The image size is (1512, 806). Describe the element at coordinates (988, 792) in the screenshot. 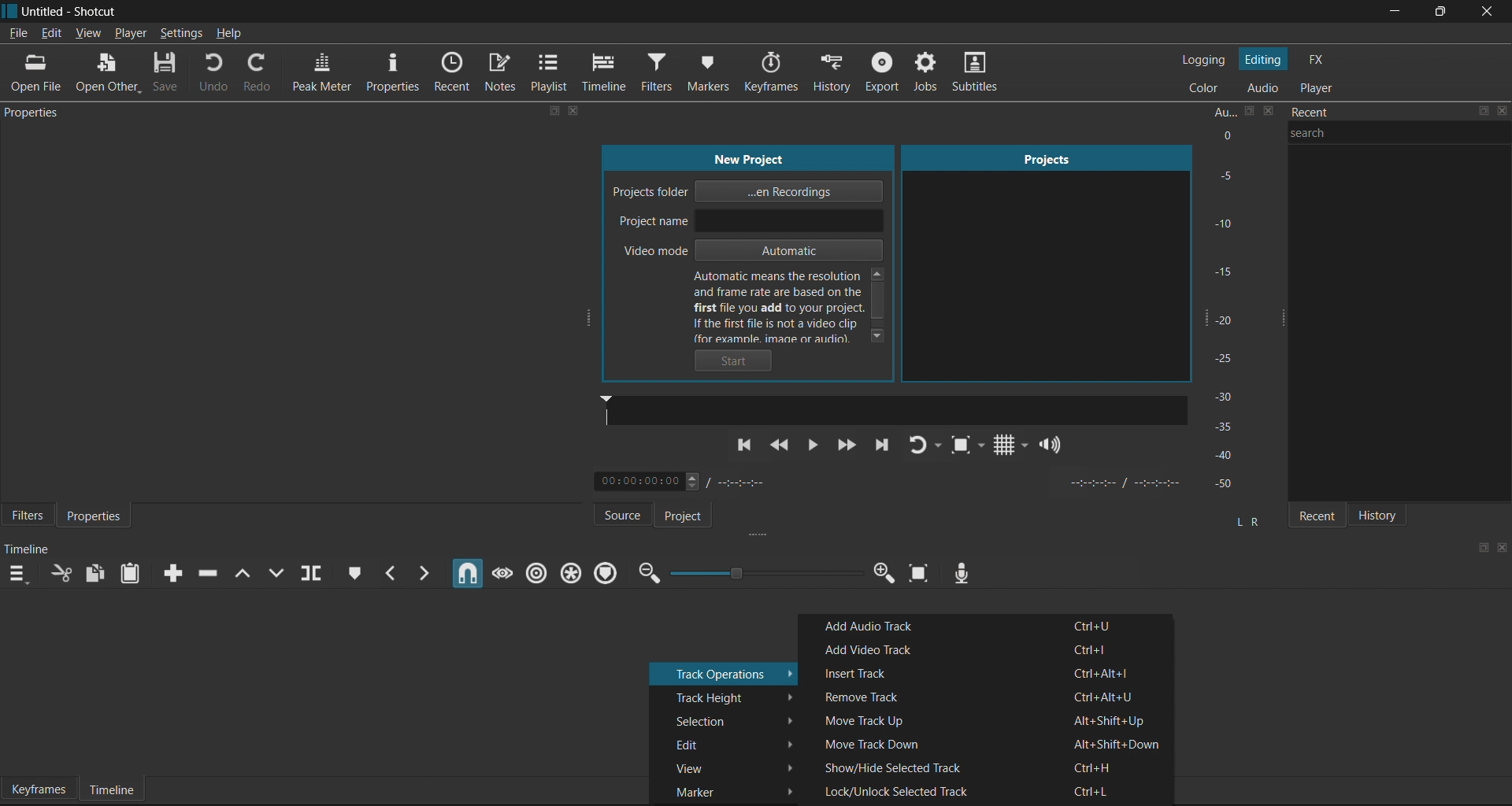

I see `Lock/Unlock Selected Track` at that location.